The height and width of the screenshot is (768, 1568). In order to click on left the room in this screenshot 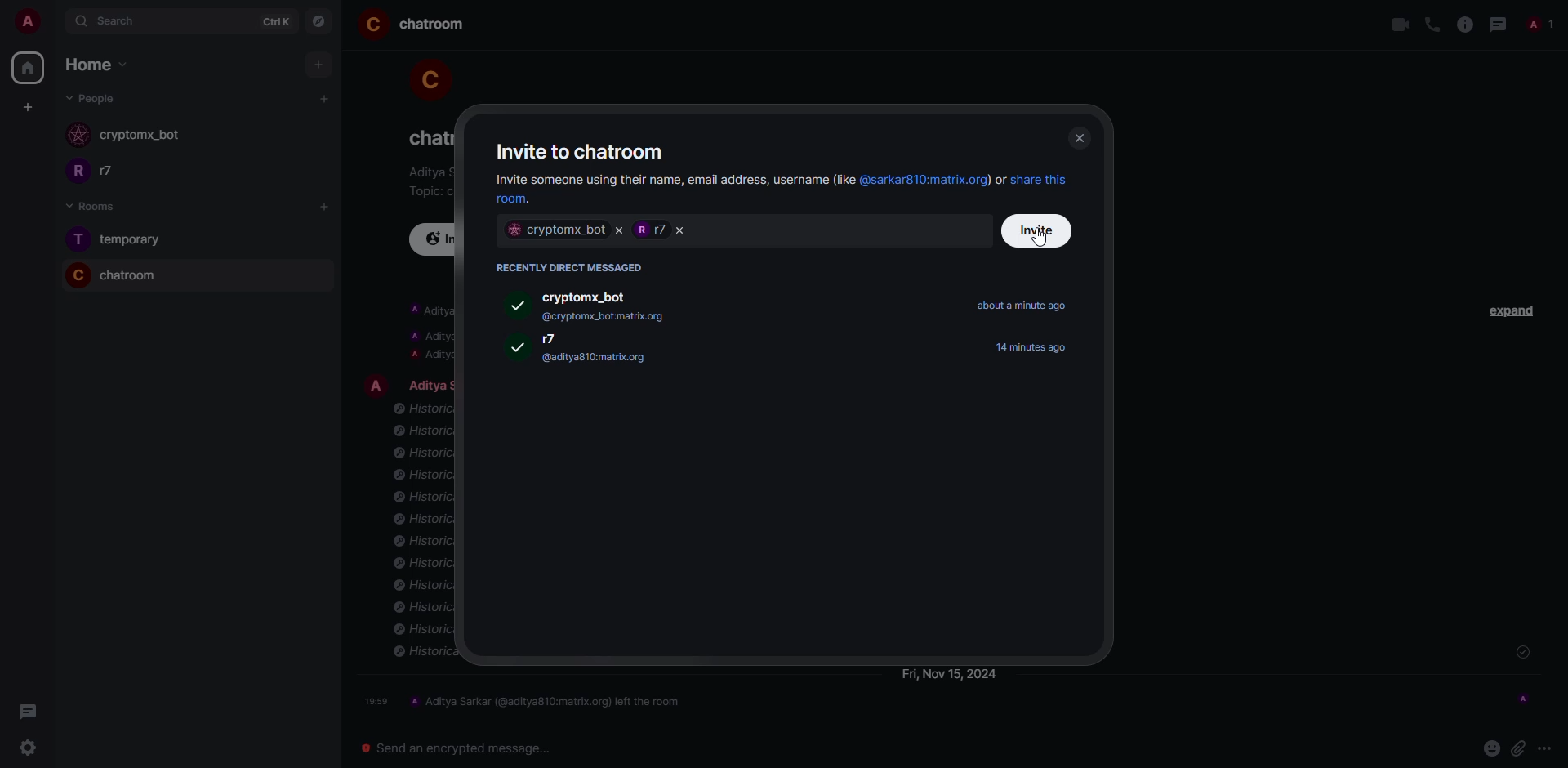, I will do `click(549, 700)`.